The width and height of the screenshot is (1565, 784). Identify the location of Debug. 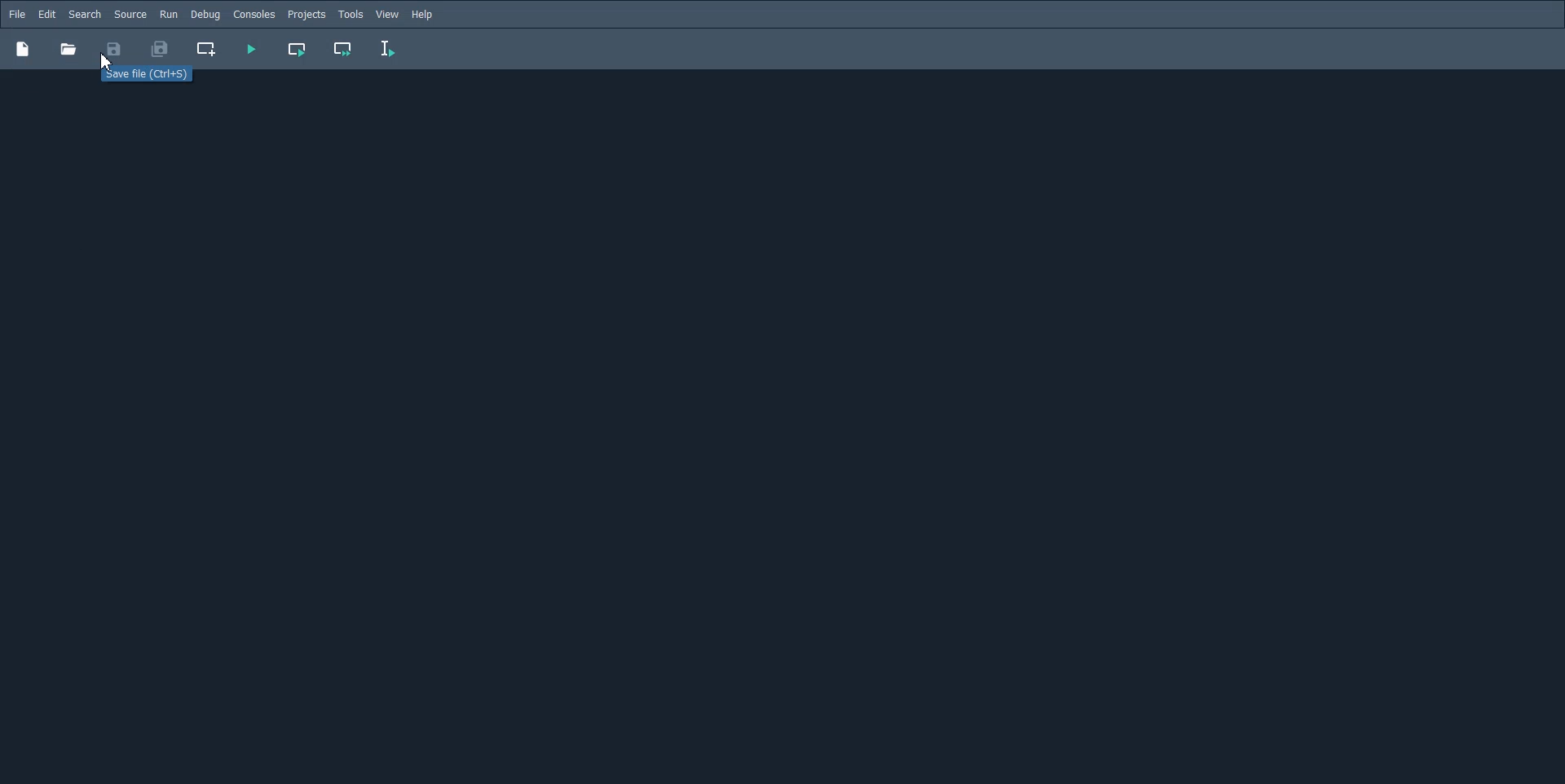
(205, 14).